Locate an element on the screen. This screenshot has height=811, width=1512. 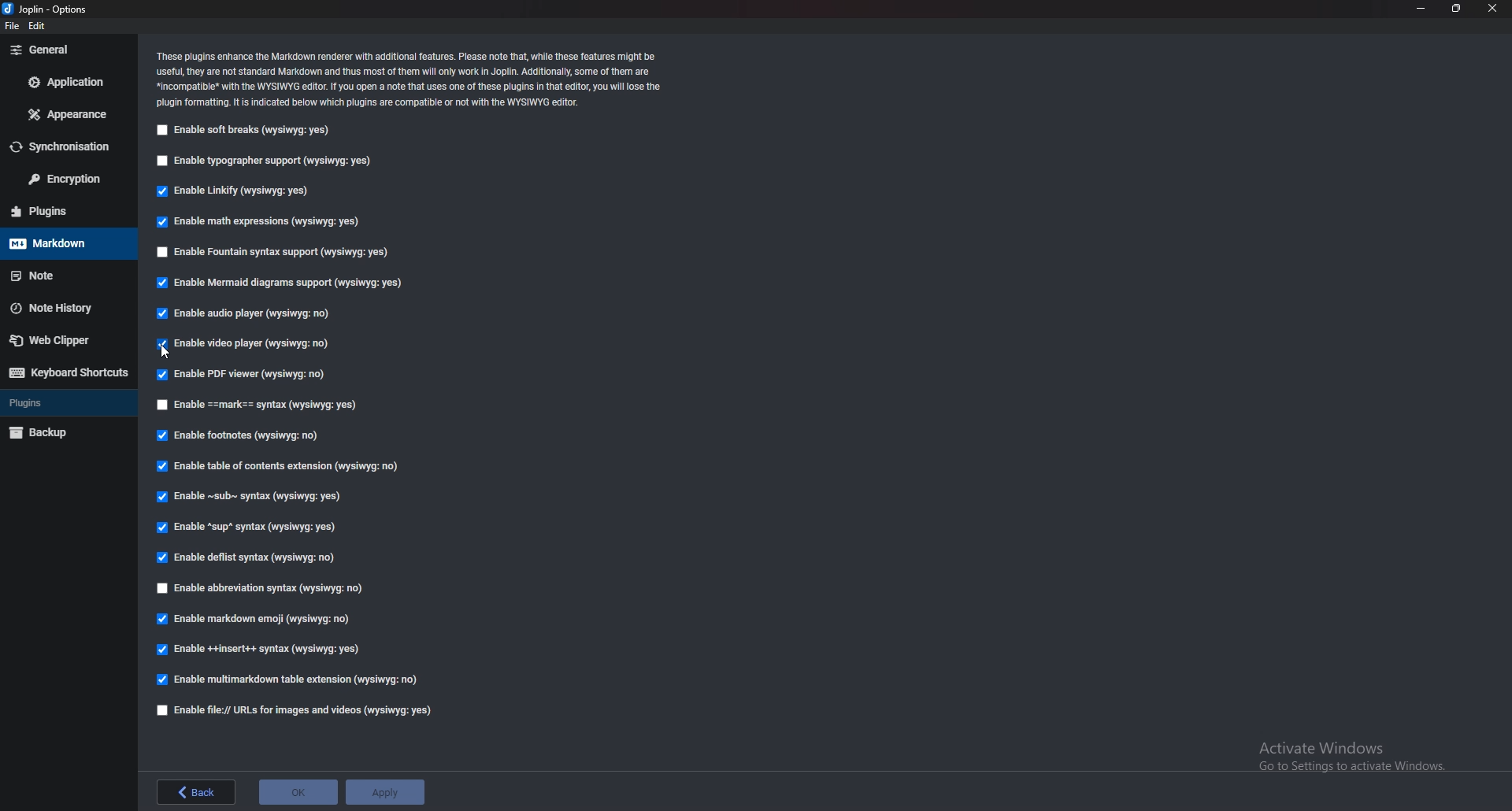
Mark down is located at coordinates (64, 244).